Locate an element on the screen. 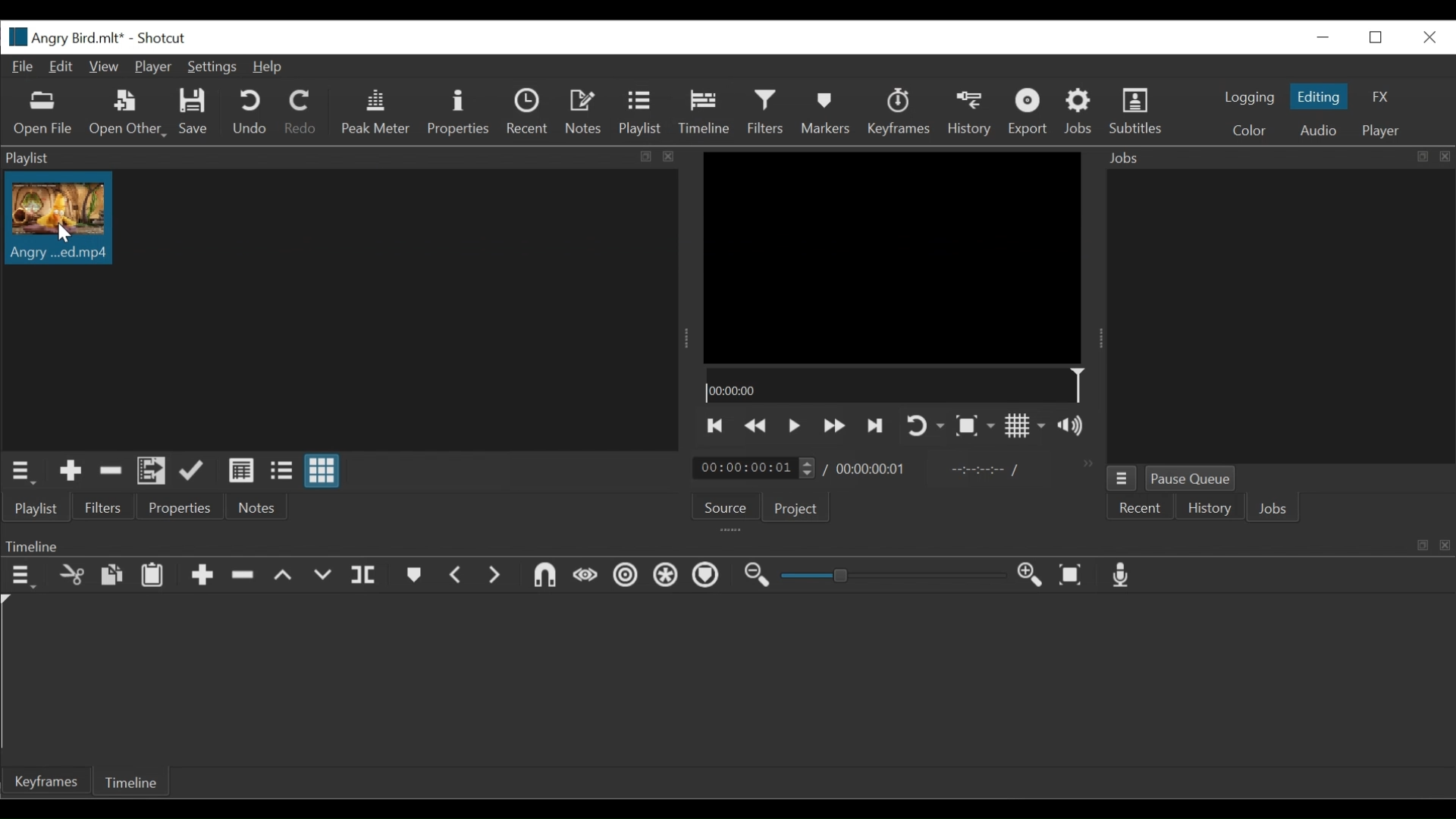  Color is located at coordinates (1250, 129).